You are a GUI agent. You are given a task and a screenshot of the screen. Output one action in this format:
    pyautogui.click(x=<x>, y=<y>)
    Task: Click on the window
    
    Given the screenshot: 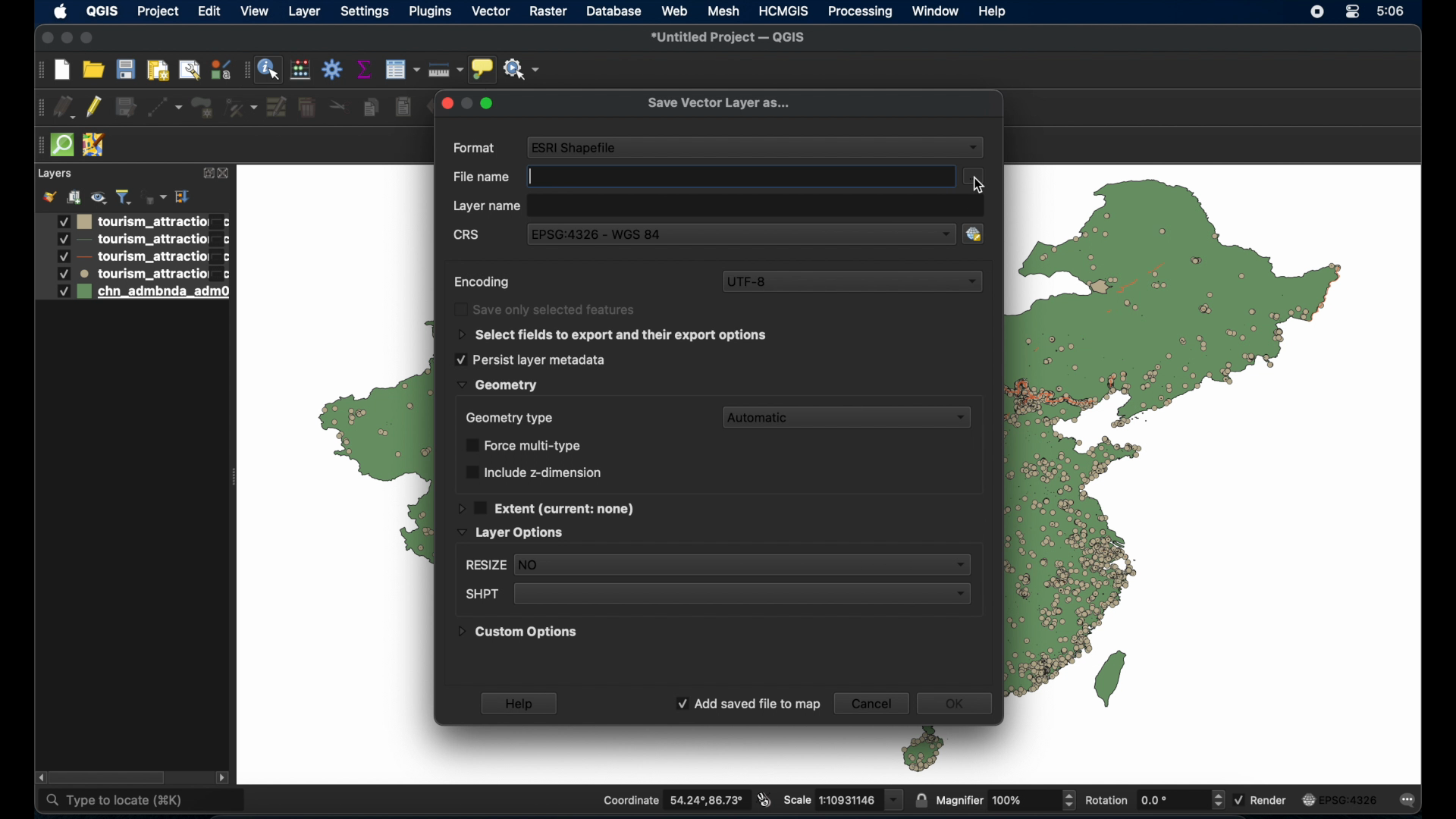 What is the action you would take?
    pyautogui.click(x=937, y=11)
    